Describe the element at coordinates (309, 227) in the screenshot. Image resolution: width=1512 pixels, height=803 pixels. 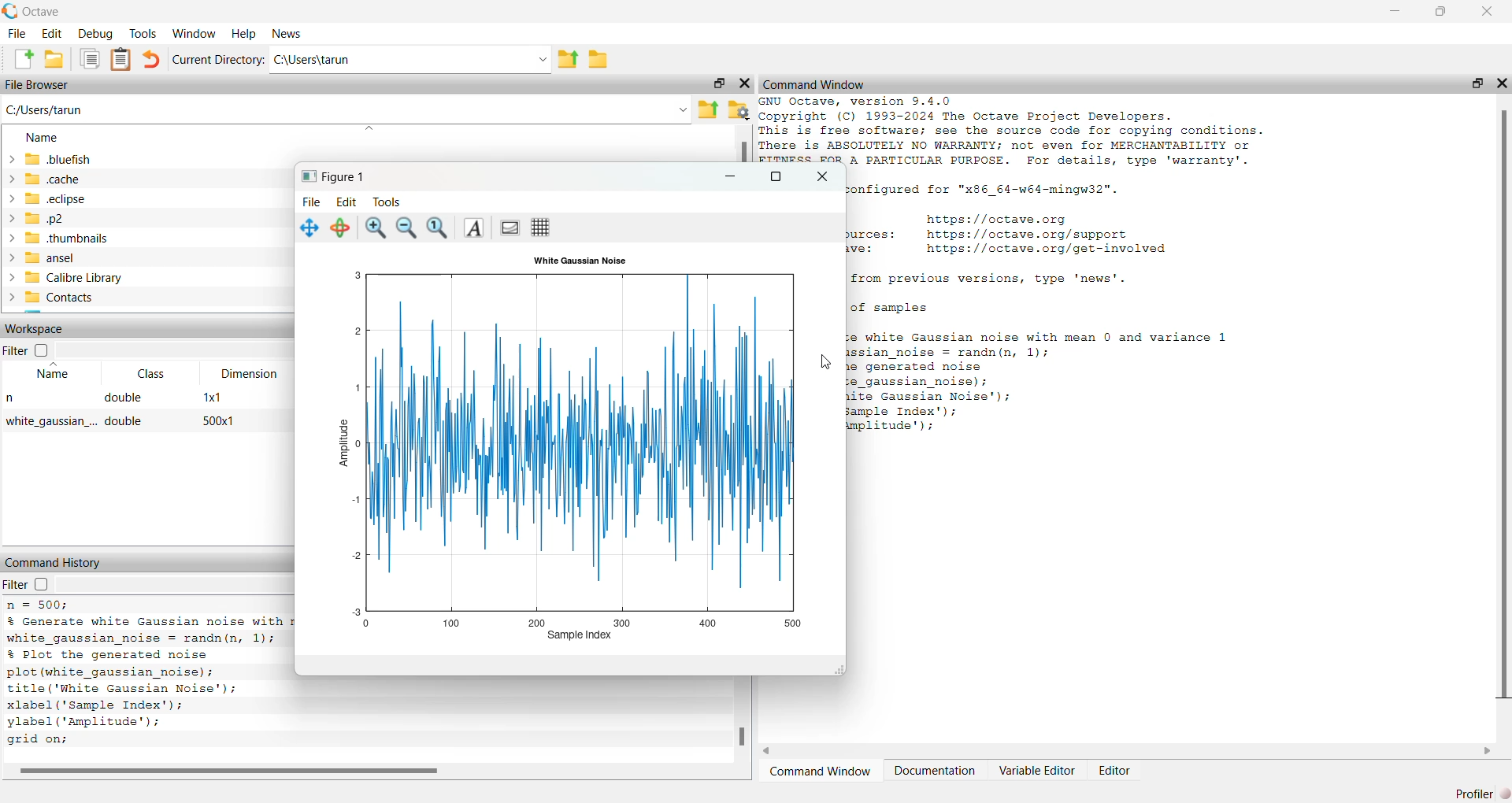
I see `pan` at that location.